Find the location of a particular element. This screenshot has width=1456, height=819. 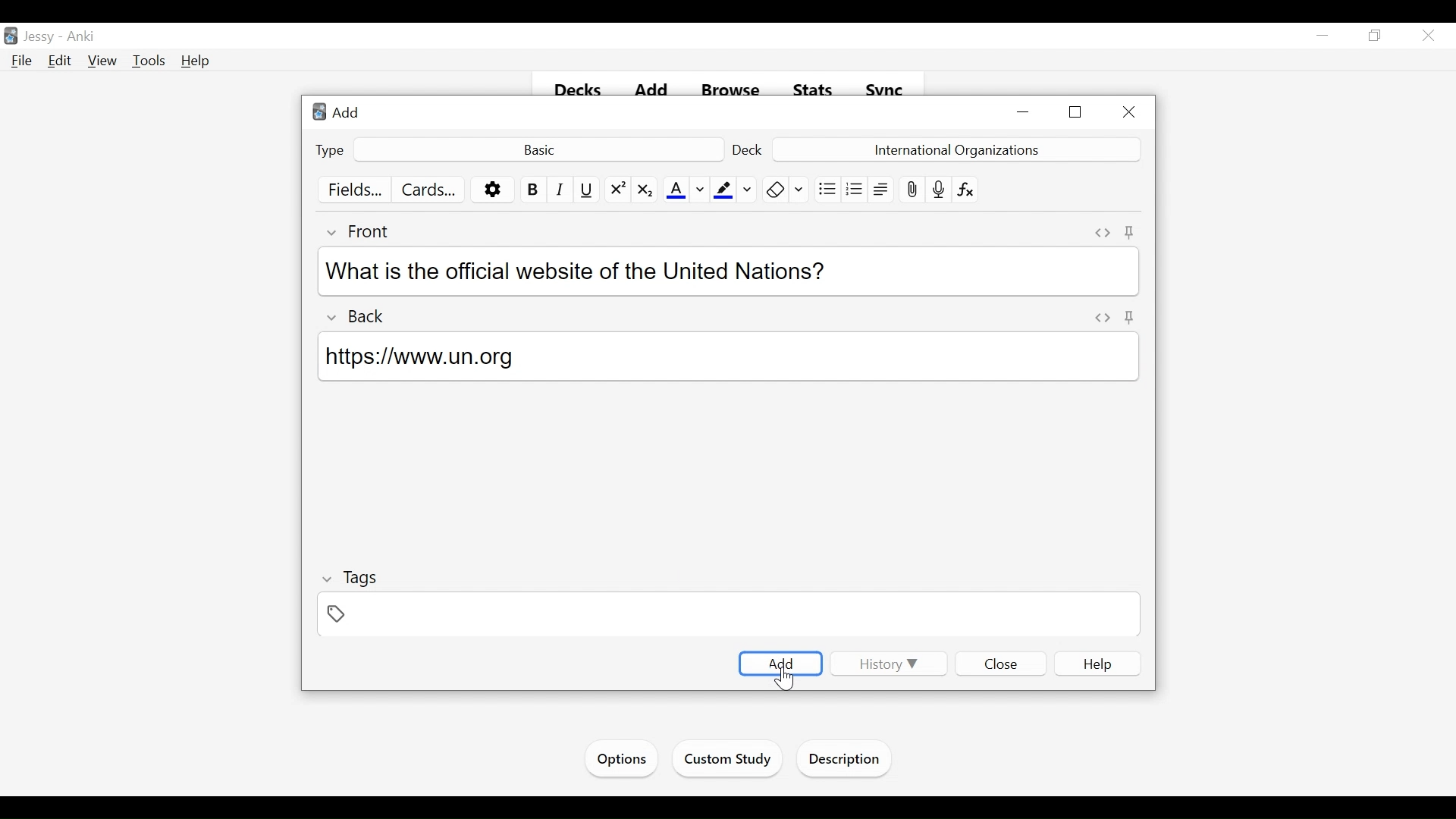

Toggle HTML is located at coordinates (1102, 232).